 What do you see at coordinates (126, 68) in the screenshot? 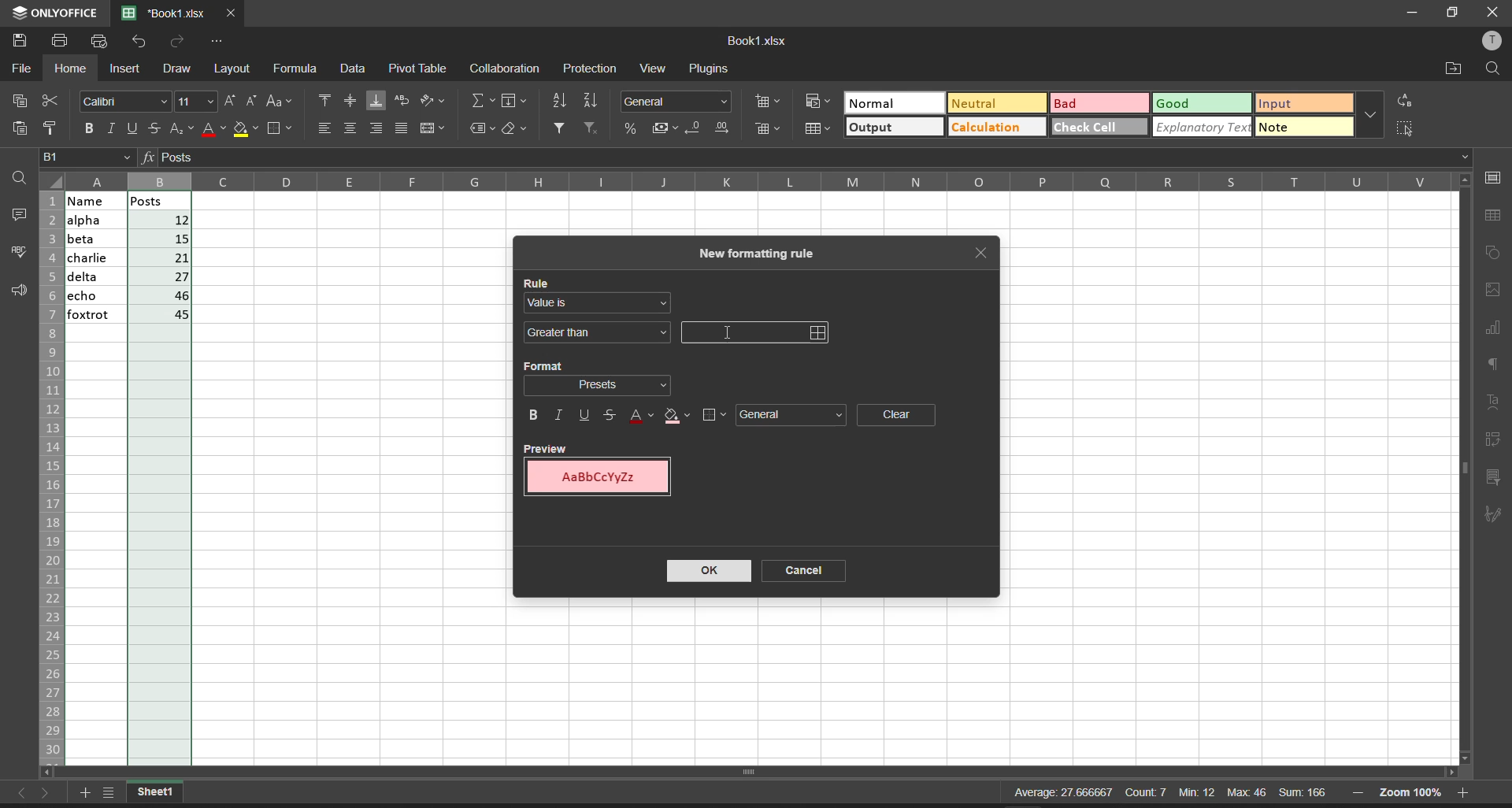
I see `insert` at bounding box center [126, 68].